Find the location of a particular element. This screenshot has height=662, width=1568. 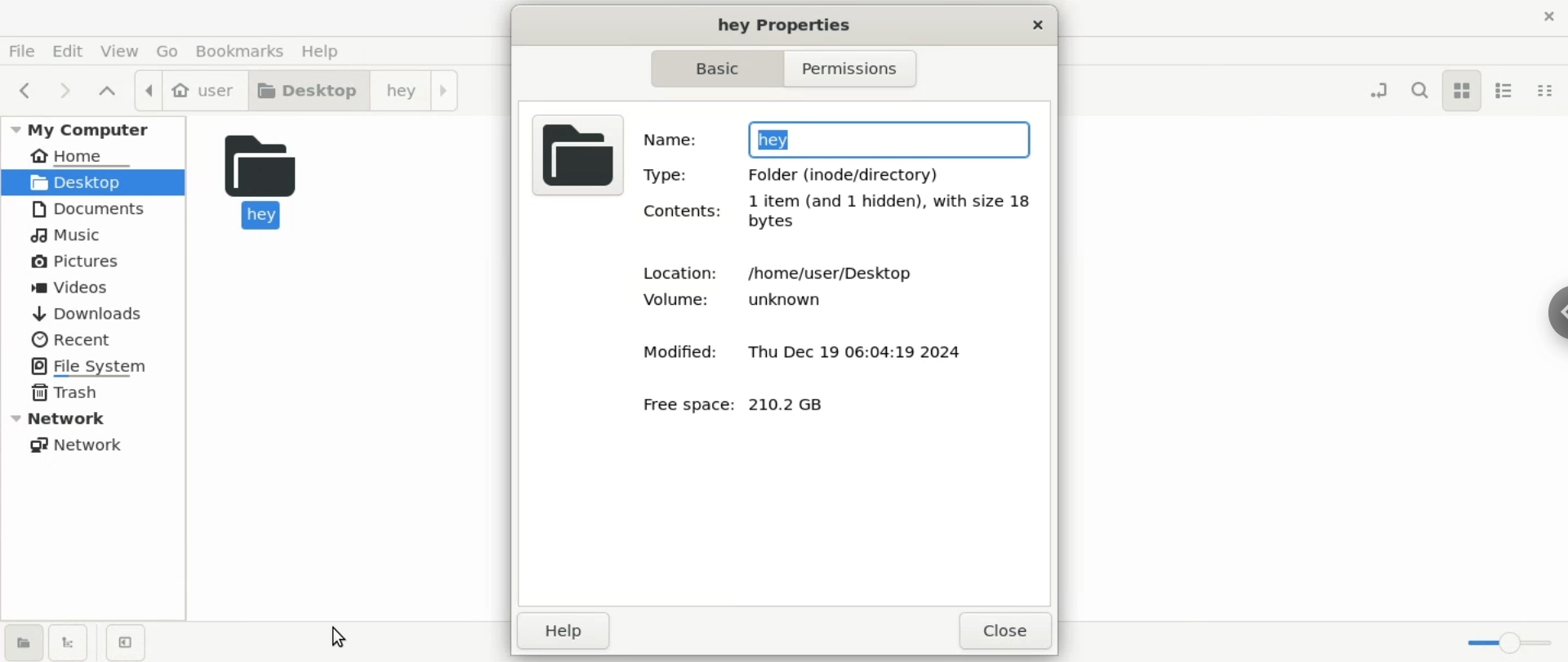

basic is located at coordinates (716, 69).